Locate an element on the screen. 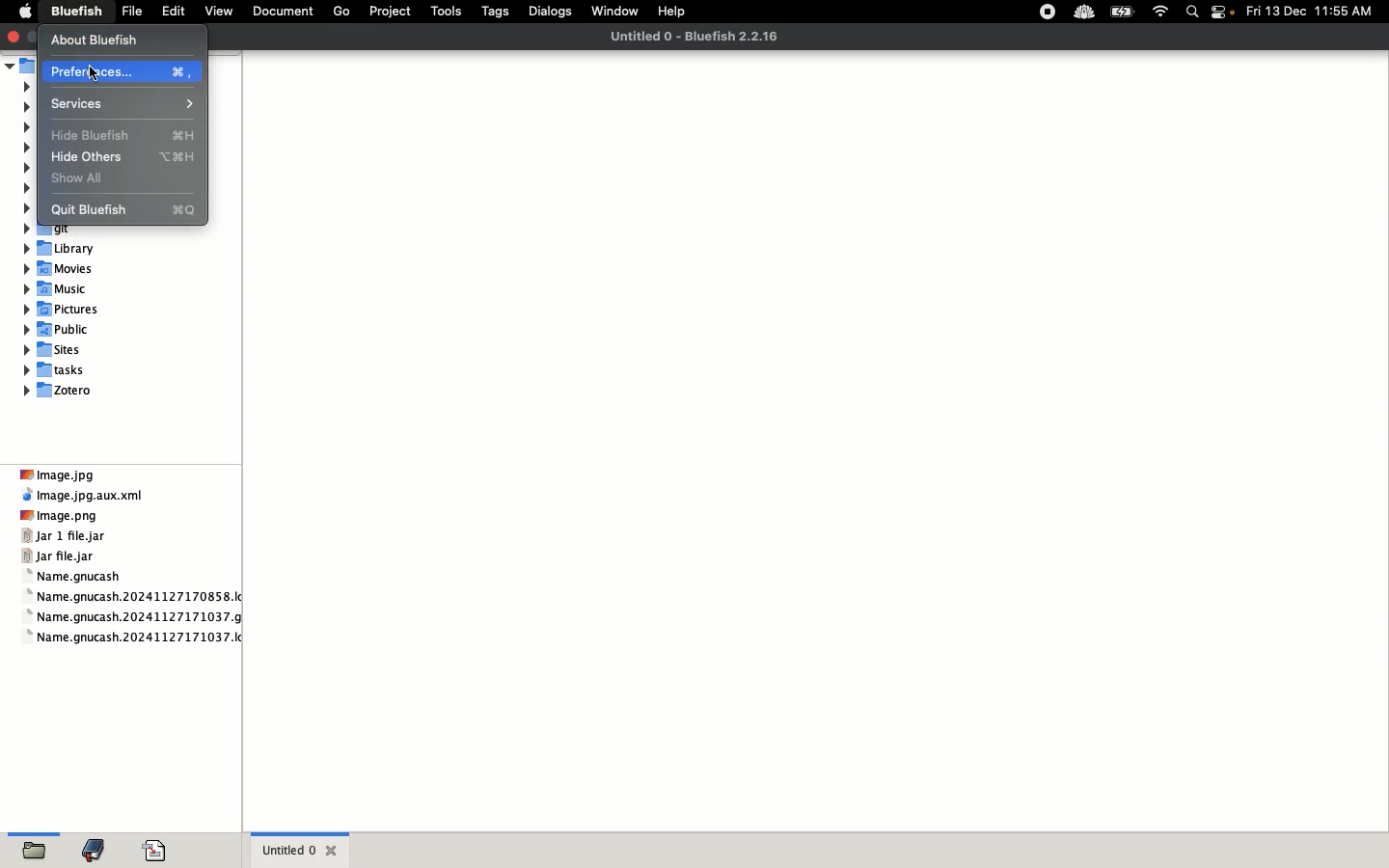 This screenshot has width=1389, height=868. close is located at coordinates (12, 37).